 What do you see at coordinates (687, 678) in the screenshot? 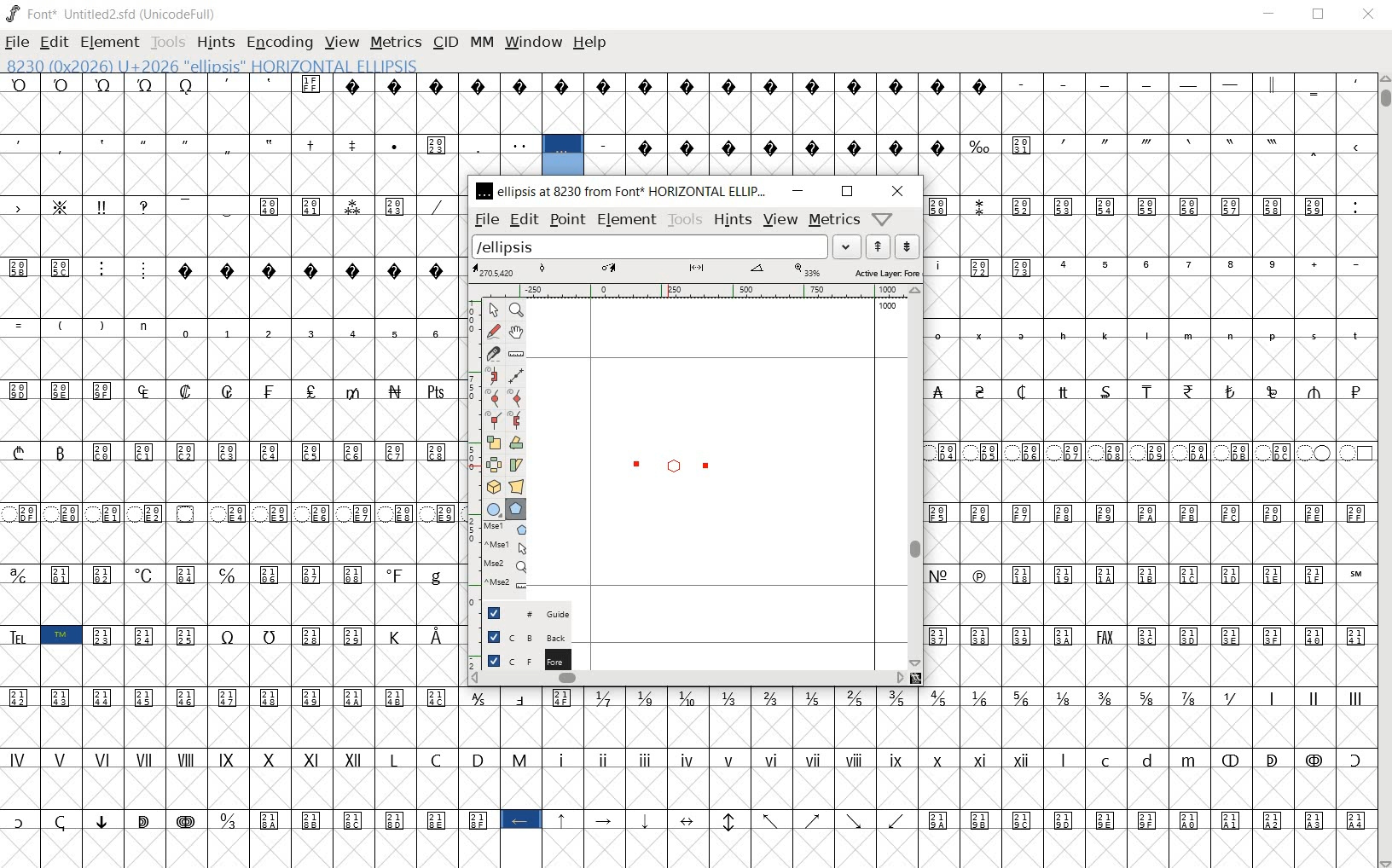
I see `scrollbar` at bounding box center [687, 678].